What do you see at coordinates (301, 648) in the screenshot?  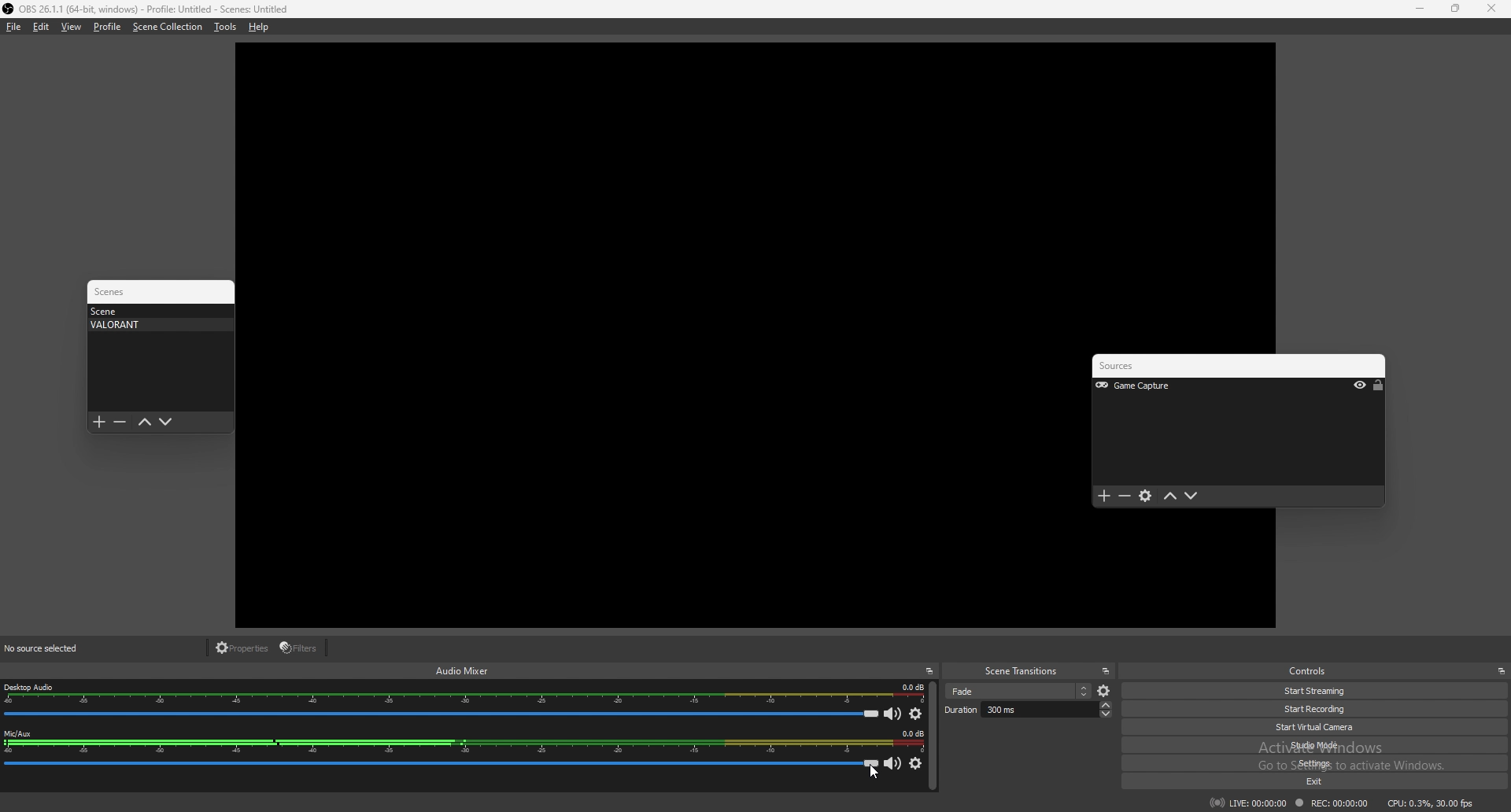 I see `filters` at bounding box center [301, 648].